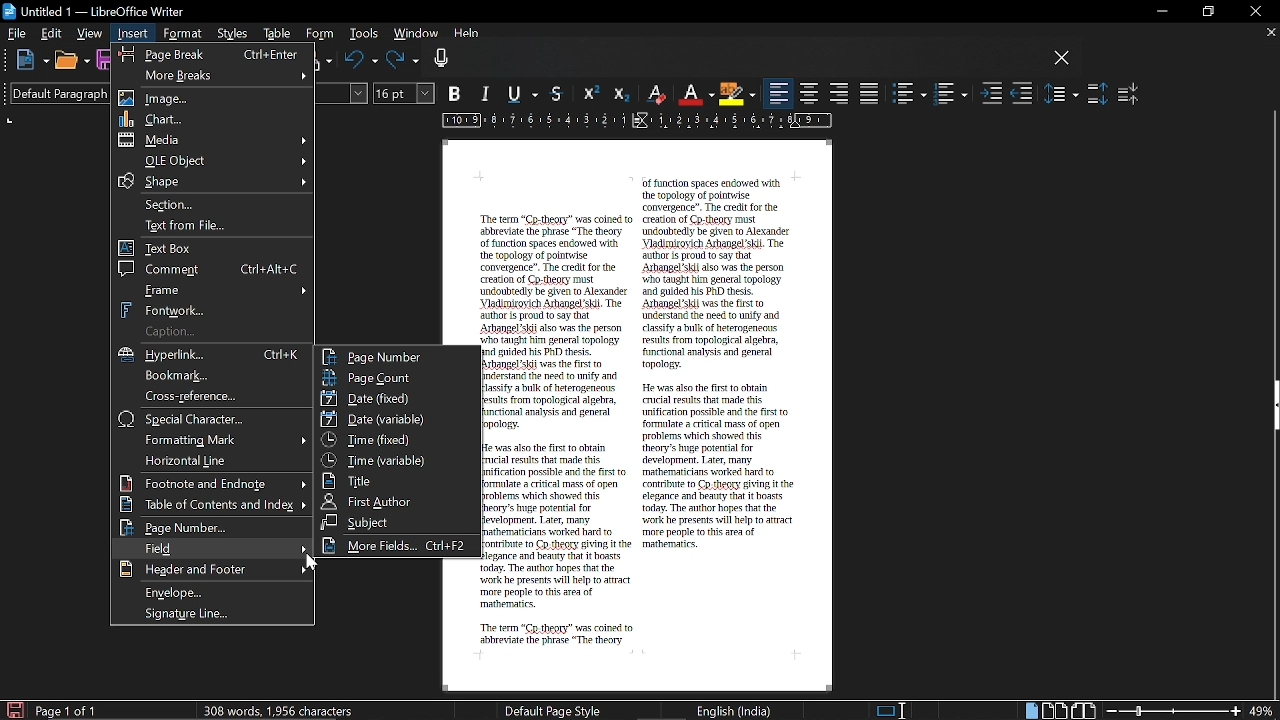 This screenshot has width=1280, height=720. Describe the element at coordinates (414, 35) in the screenshot. I see `Window` at that location.